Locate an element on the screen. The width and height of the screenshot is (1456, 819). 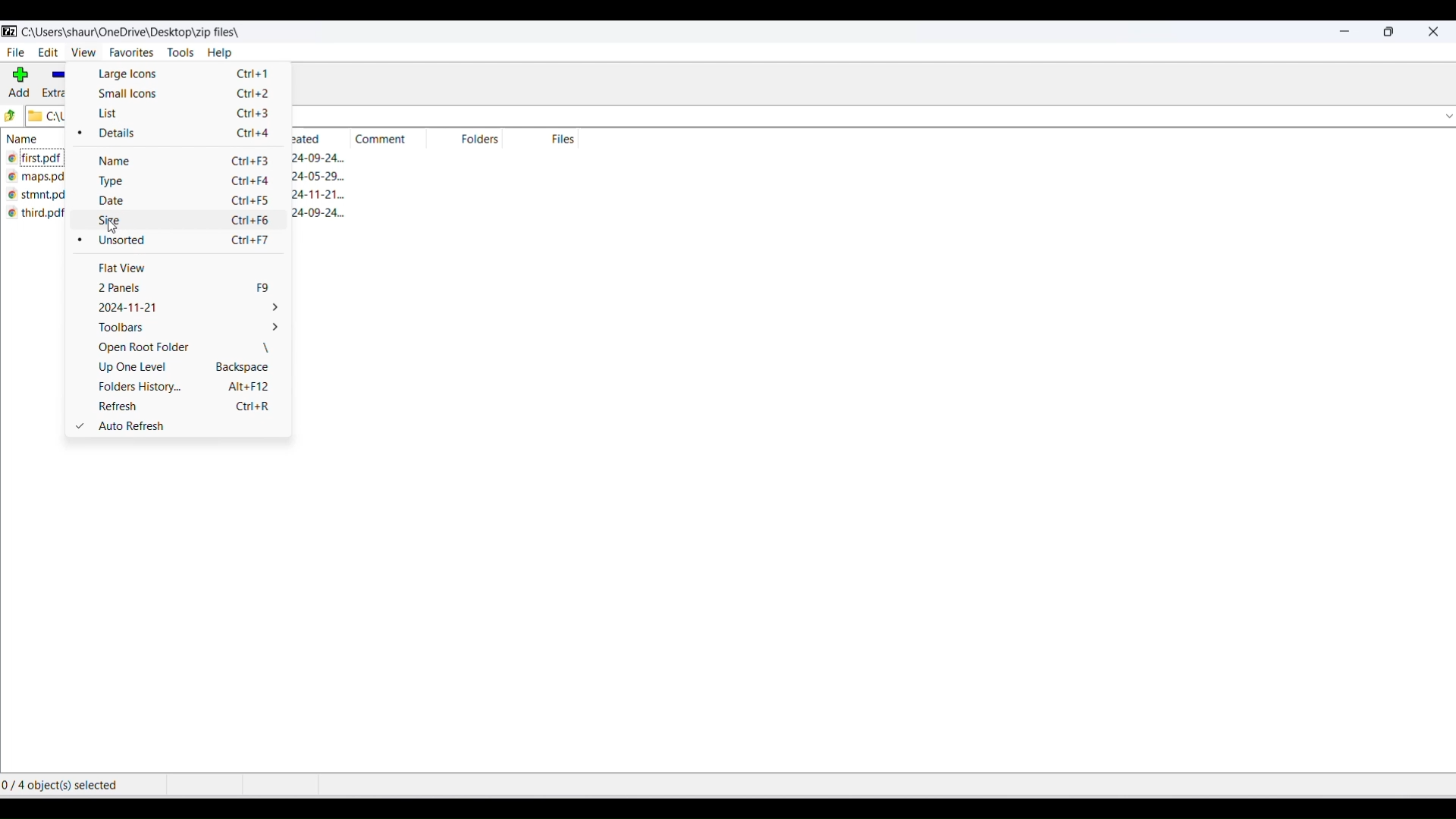
file name is located at coordinates (36, 159).